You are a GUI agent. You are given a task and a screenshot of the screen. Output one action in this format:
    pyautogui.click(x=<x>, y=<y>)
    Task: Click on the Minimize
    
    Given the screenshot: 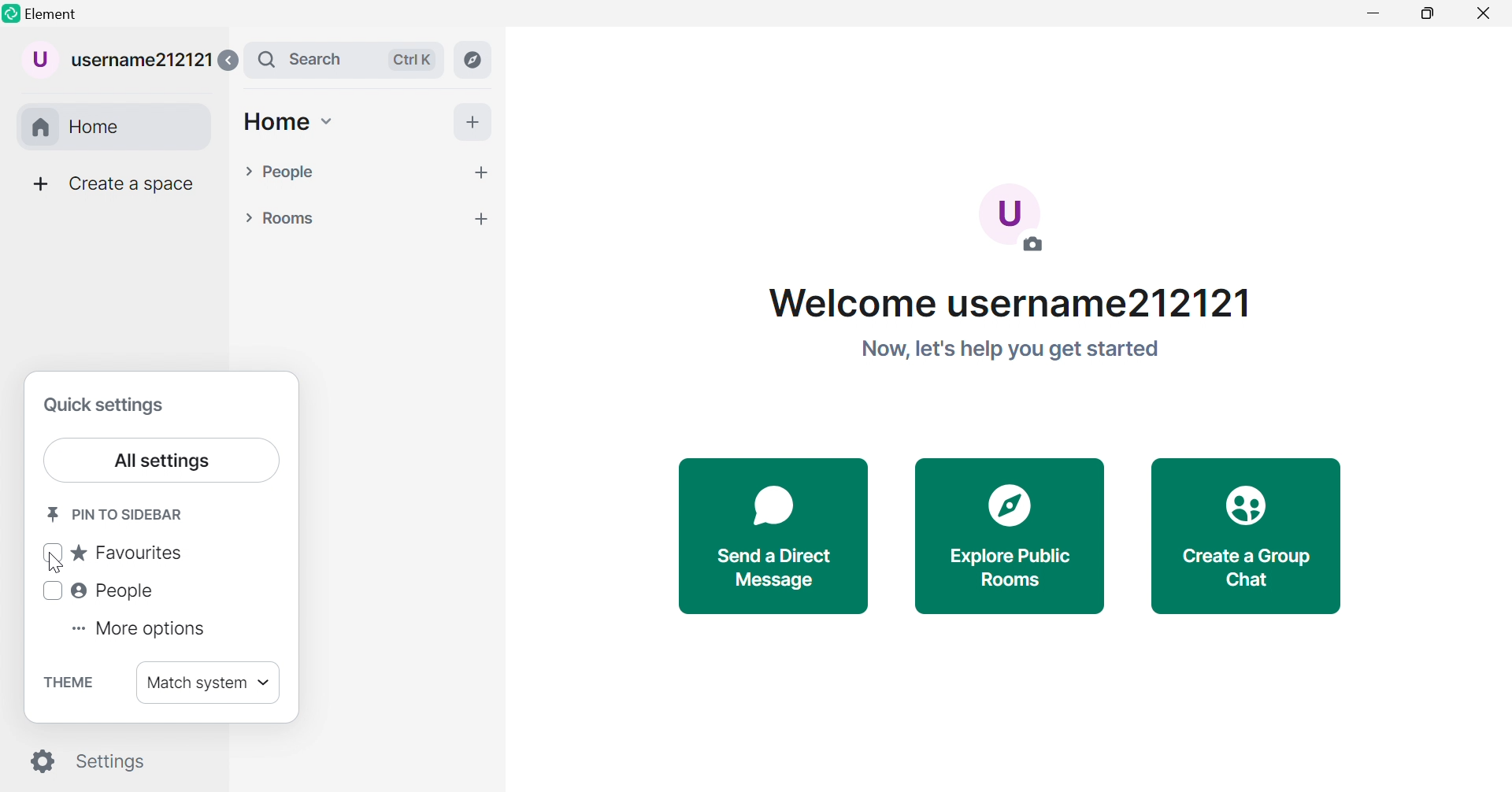 What is the action you would take?
    pyautogui.click(x=1377, y=14)
    